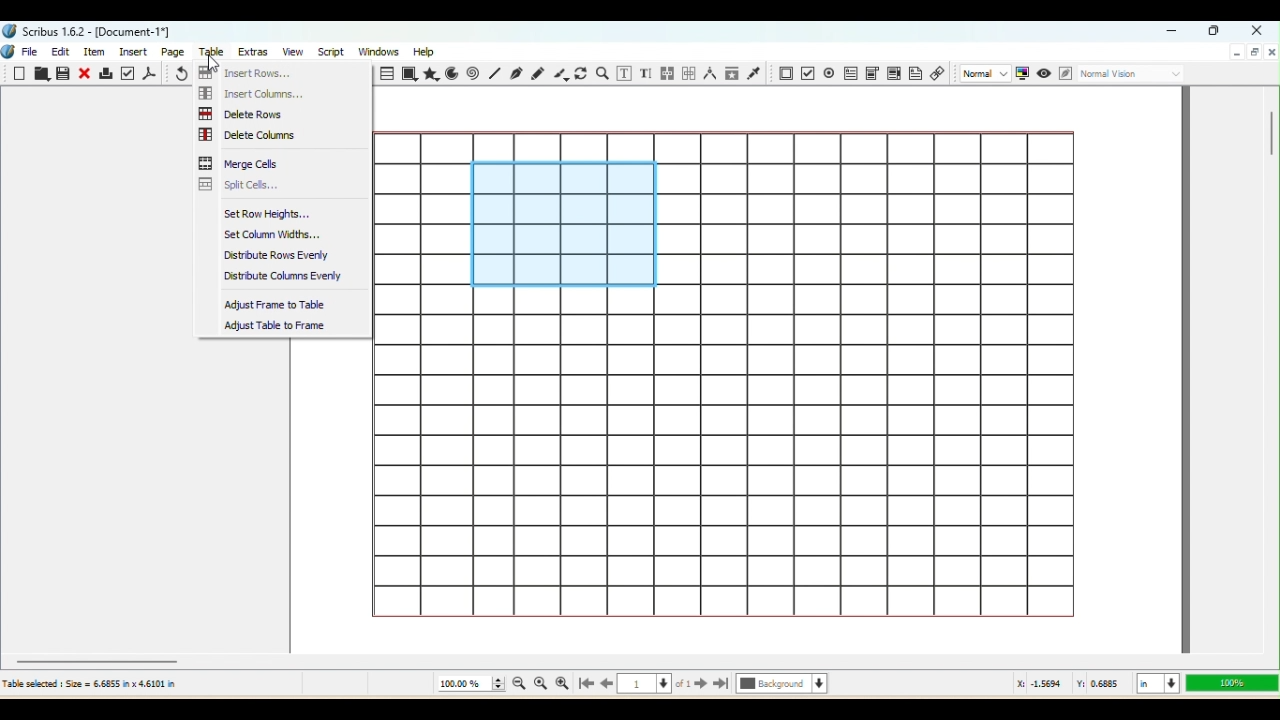 The width and height of the screenshot is (1280, 720). I want to click on PDF check button, so click(829, 72).